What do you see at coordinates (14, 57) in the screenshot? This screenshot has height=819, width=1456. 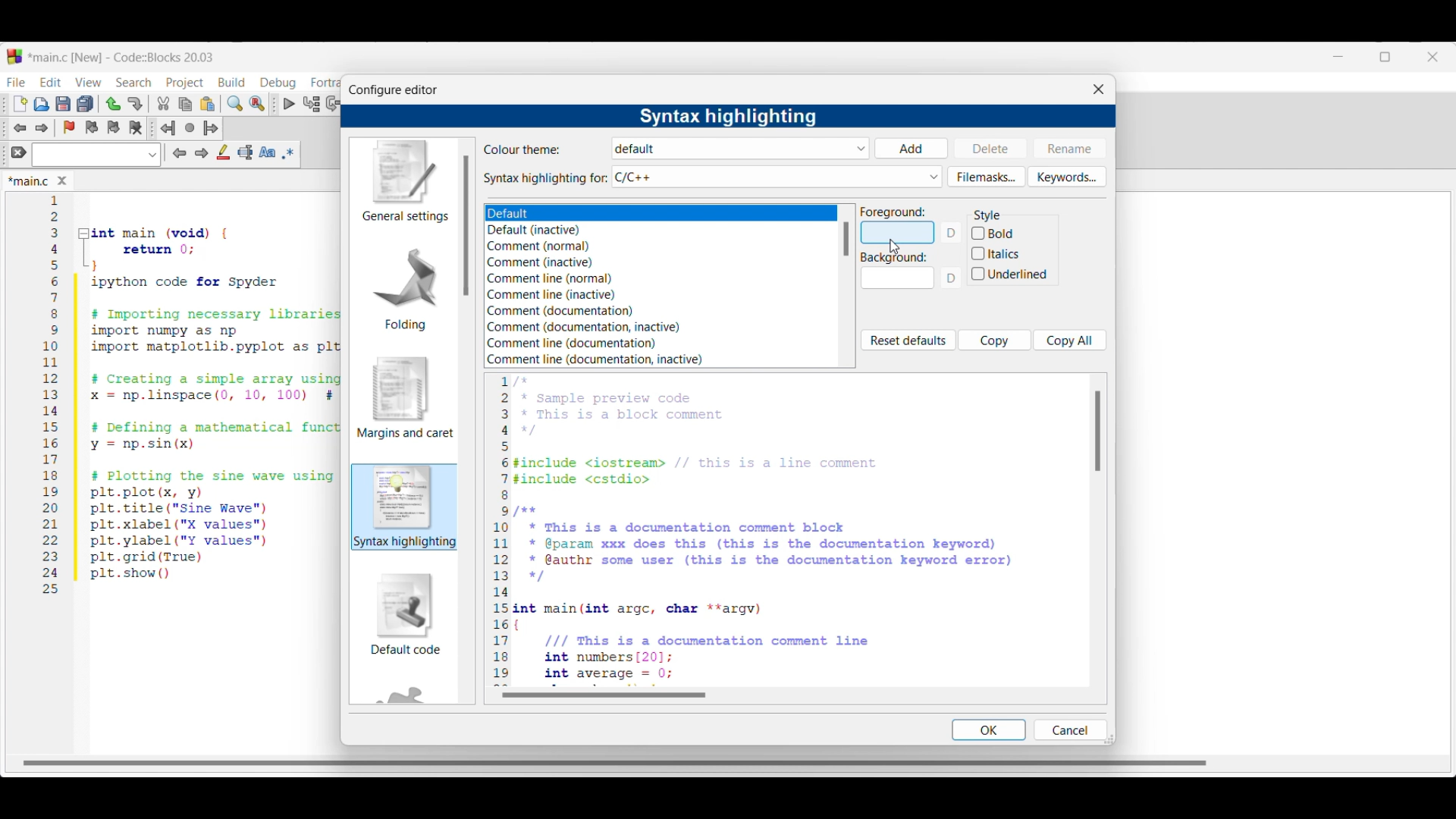 I see `codeblock logo` at bounding box center [14, 57].